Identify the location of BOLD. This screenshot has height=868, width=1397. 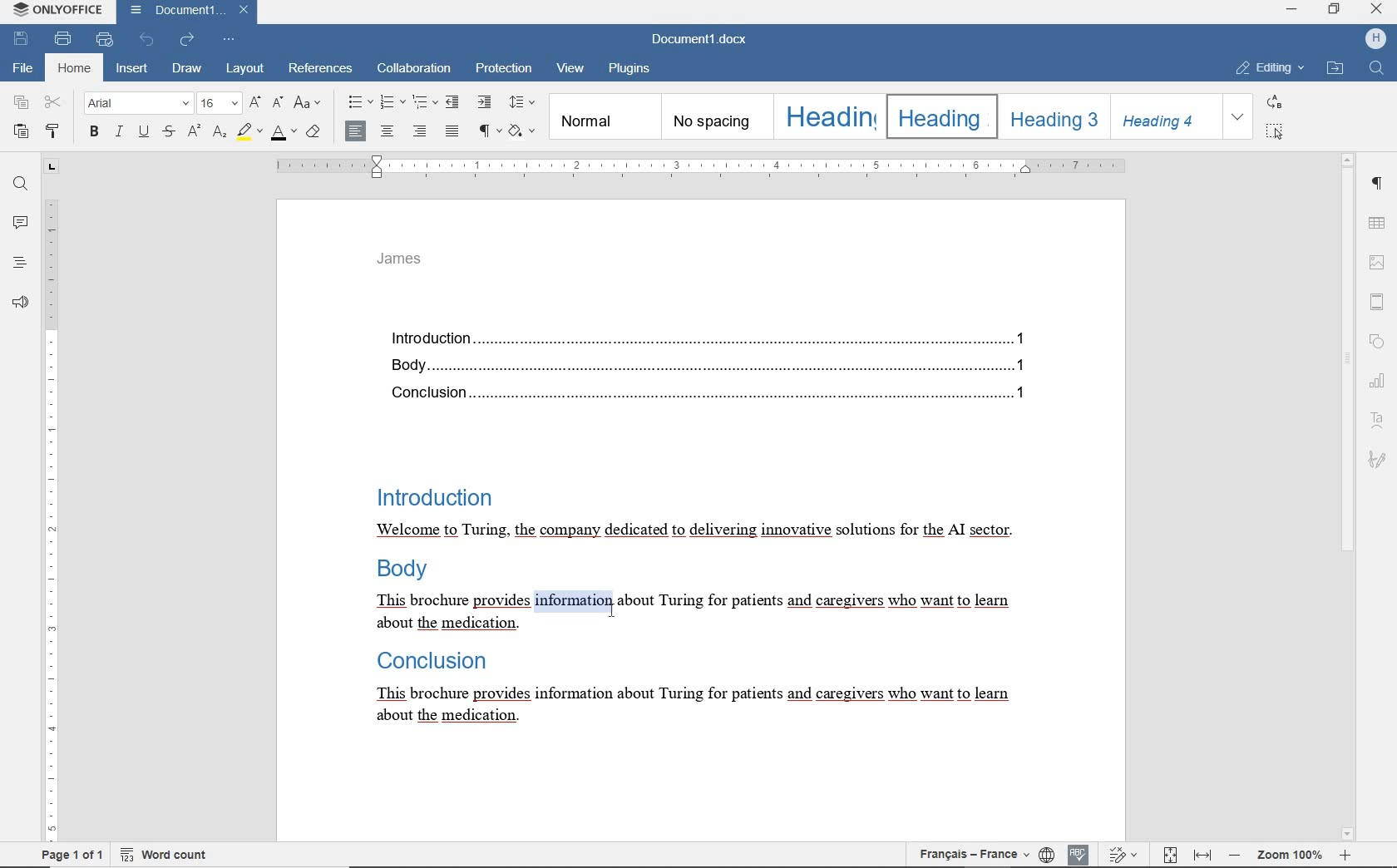
(95, 133).